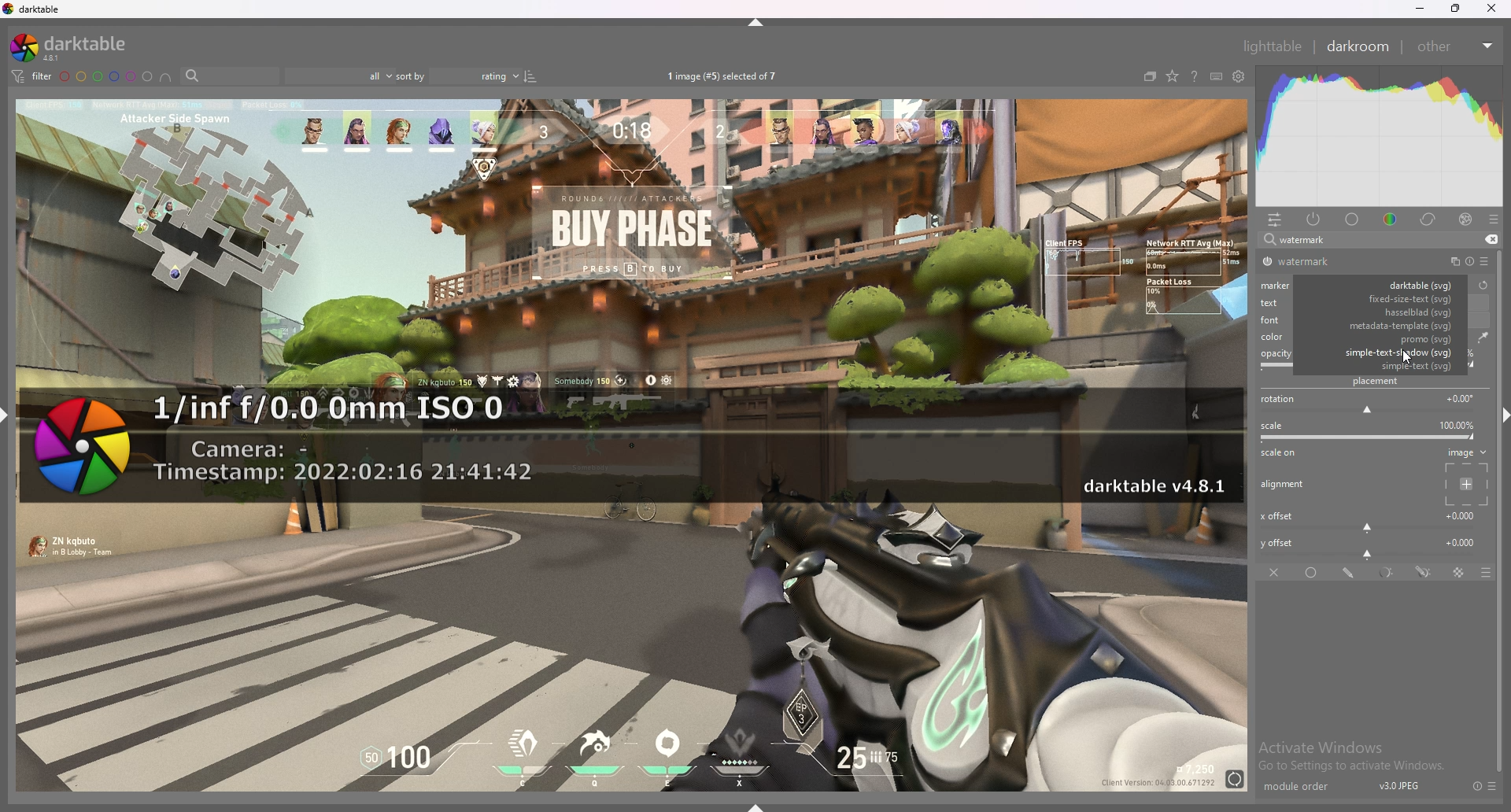 The height and width of the screenshot is (812, 1511). What do you see at coordinates (1353, 220) in the screenshot?
I see `base` at bounding box center [1353, 220].